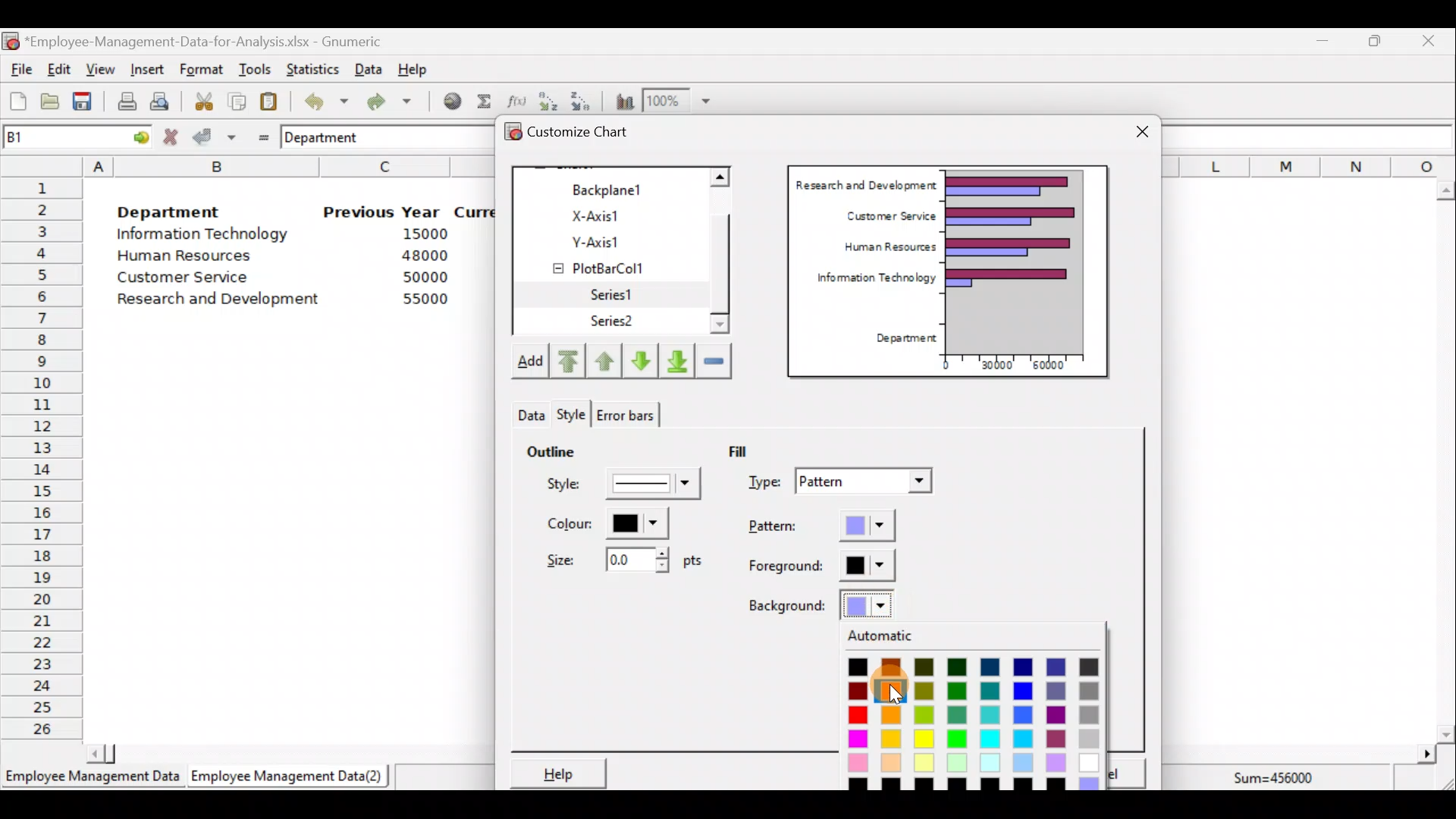 The width and height of the screenshot is (1456, 819). What do you see at coordinates (946, 365) in the screenshot?
I see `0` at bounding box center [946, 365].